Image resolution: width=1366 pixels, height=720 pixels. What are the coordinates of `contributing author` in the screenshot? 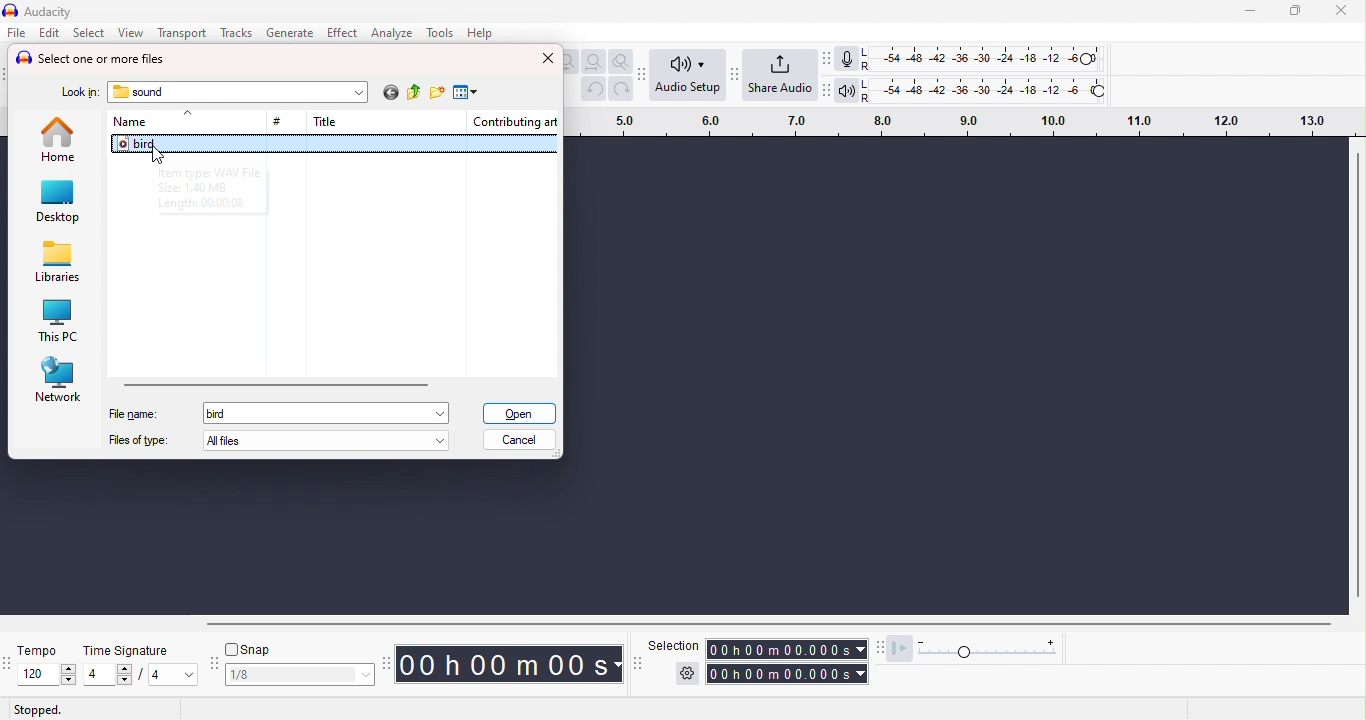 It's located at (514, 121).